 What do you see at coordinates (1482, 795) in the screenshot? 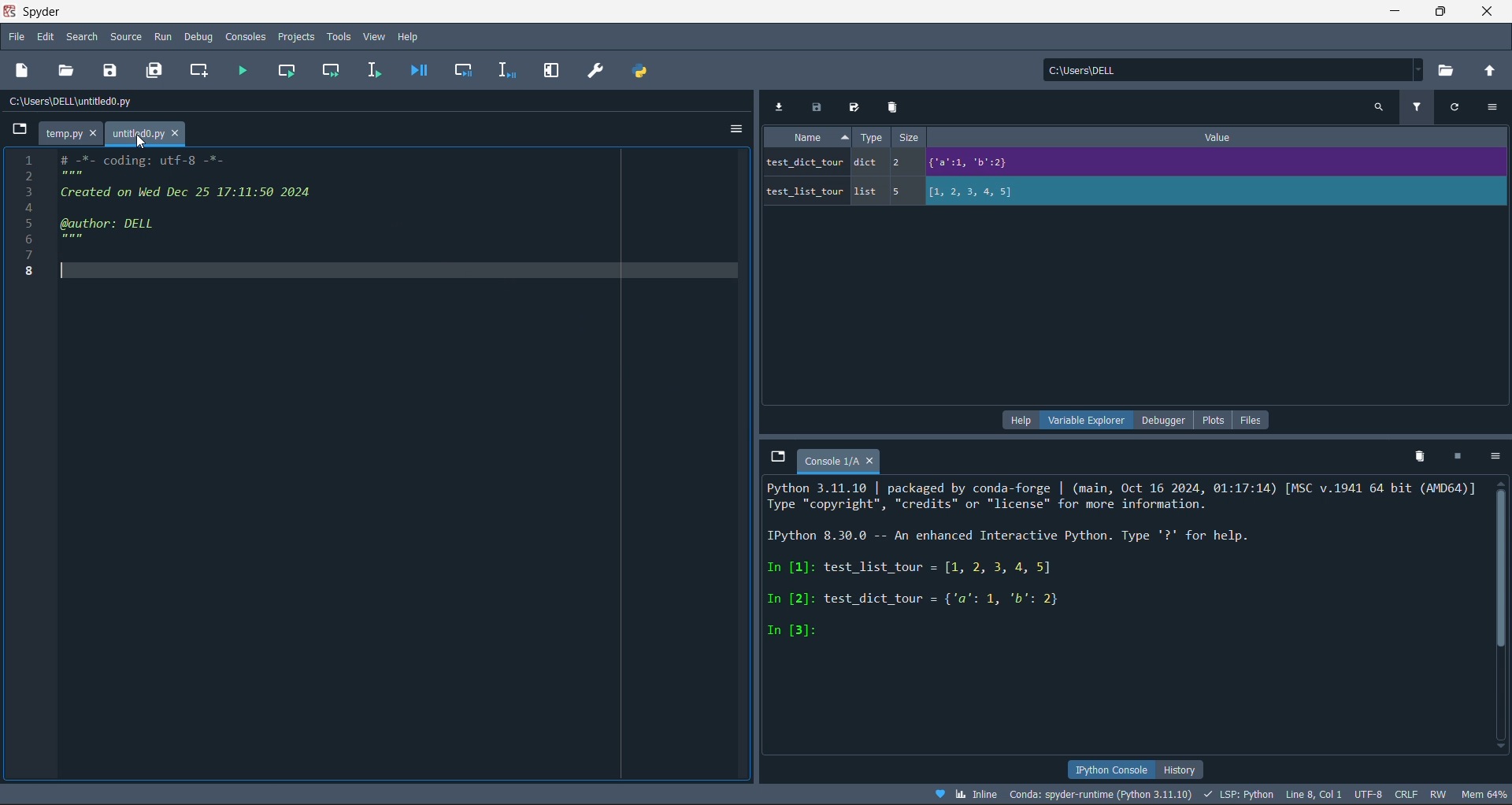
I see `Mem 64%` at bounding box center [1482, 795].